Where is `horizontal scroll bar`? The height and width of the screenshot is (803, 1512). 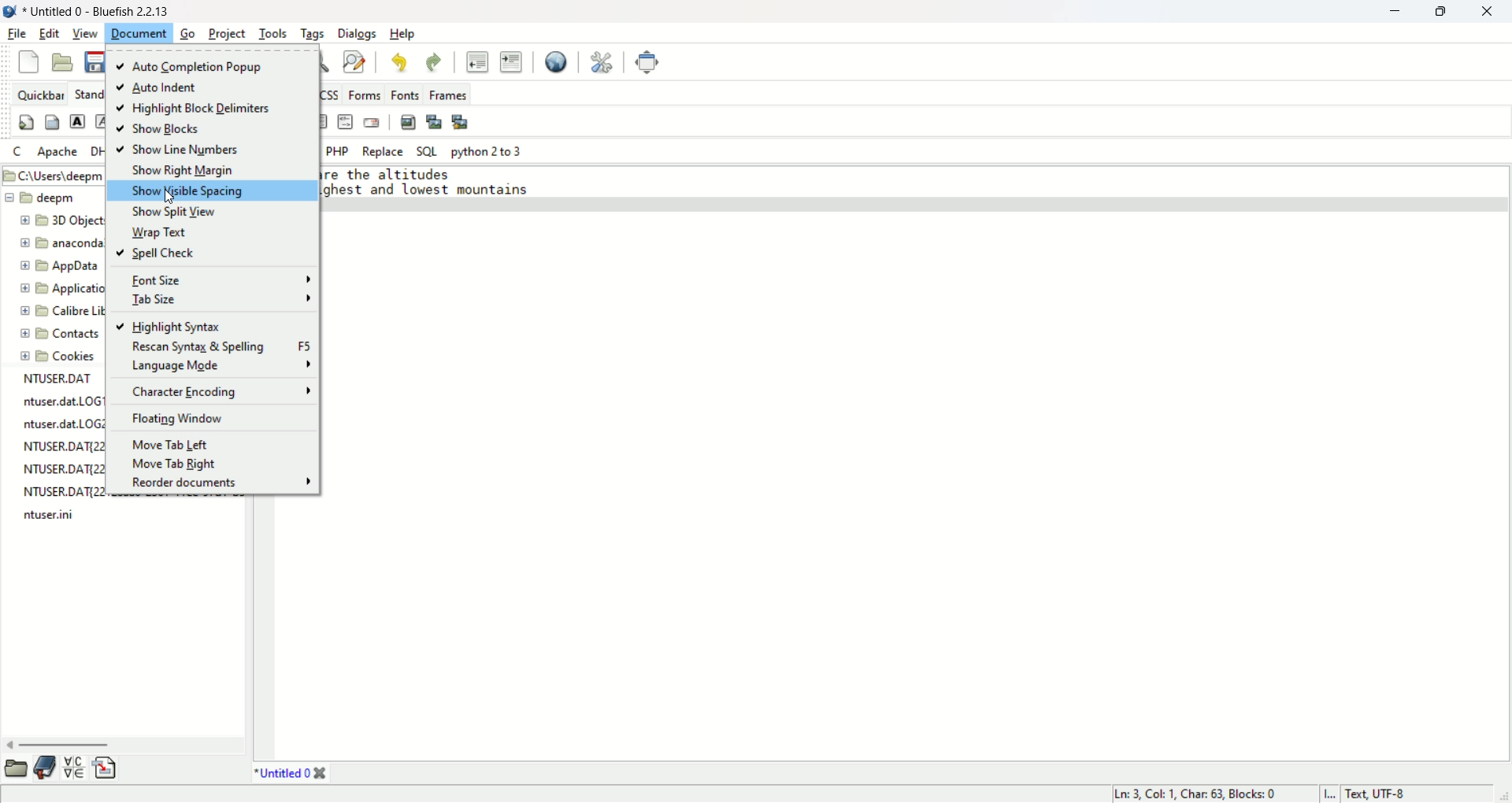
horizontal scroll bar is located at coordinates (121, 743).